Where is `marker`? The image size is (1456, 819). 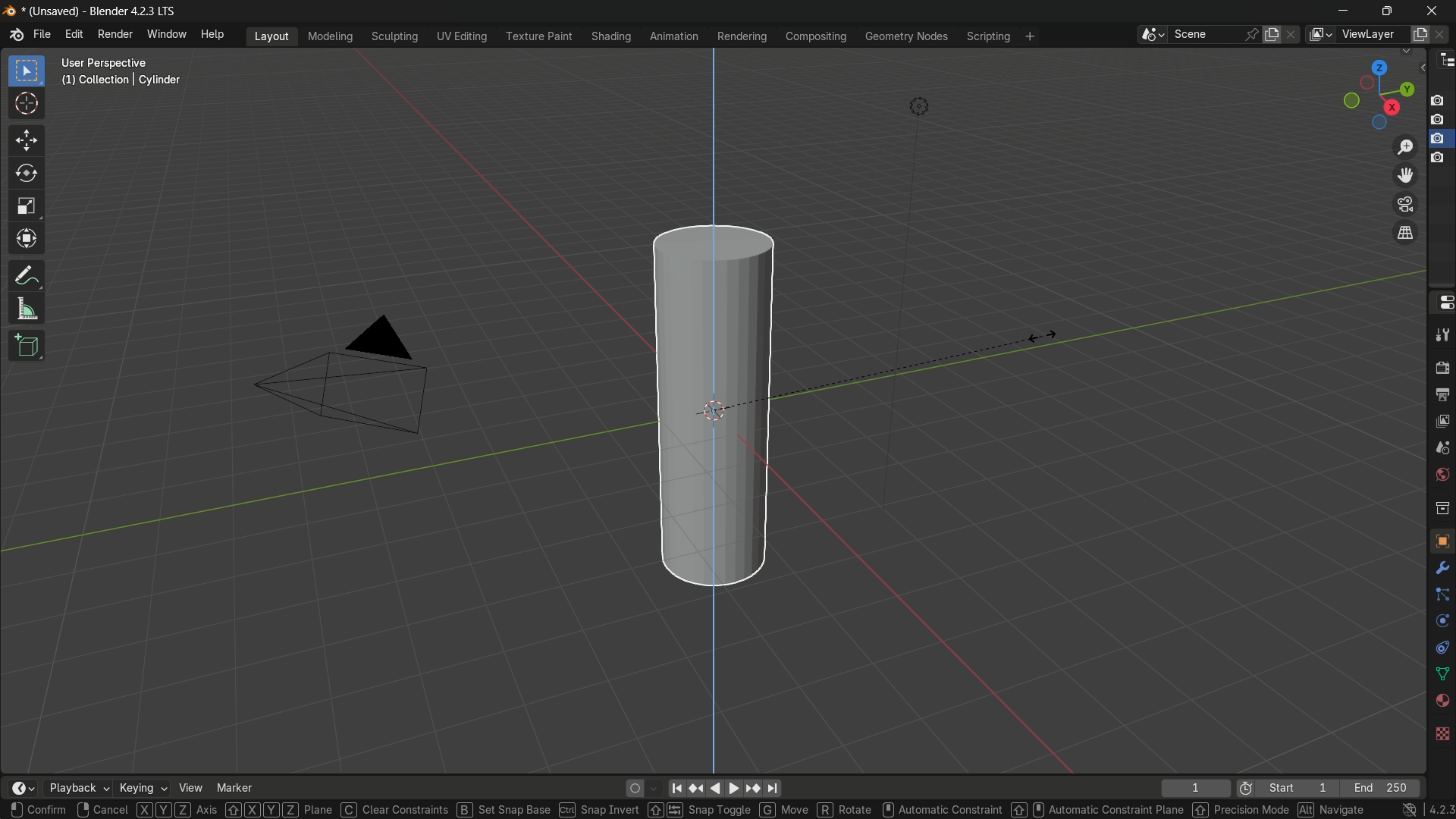 marker is located at coordinates (234, 788).